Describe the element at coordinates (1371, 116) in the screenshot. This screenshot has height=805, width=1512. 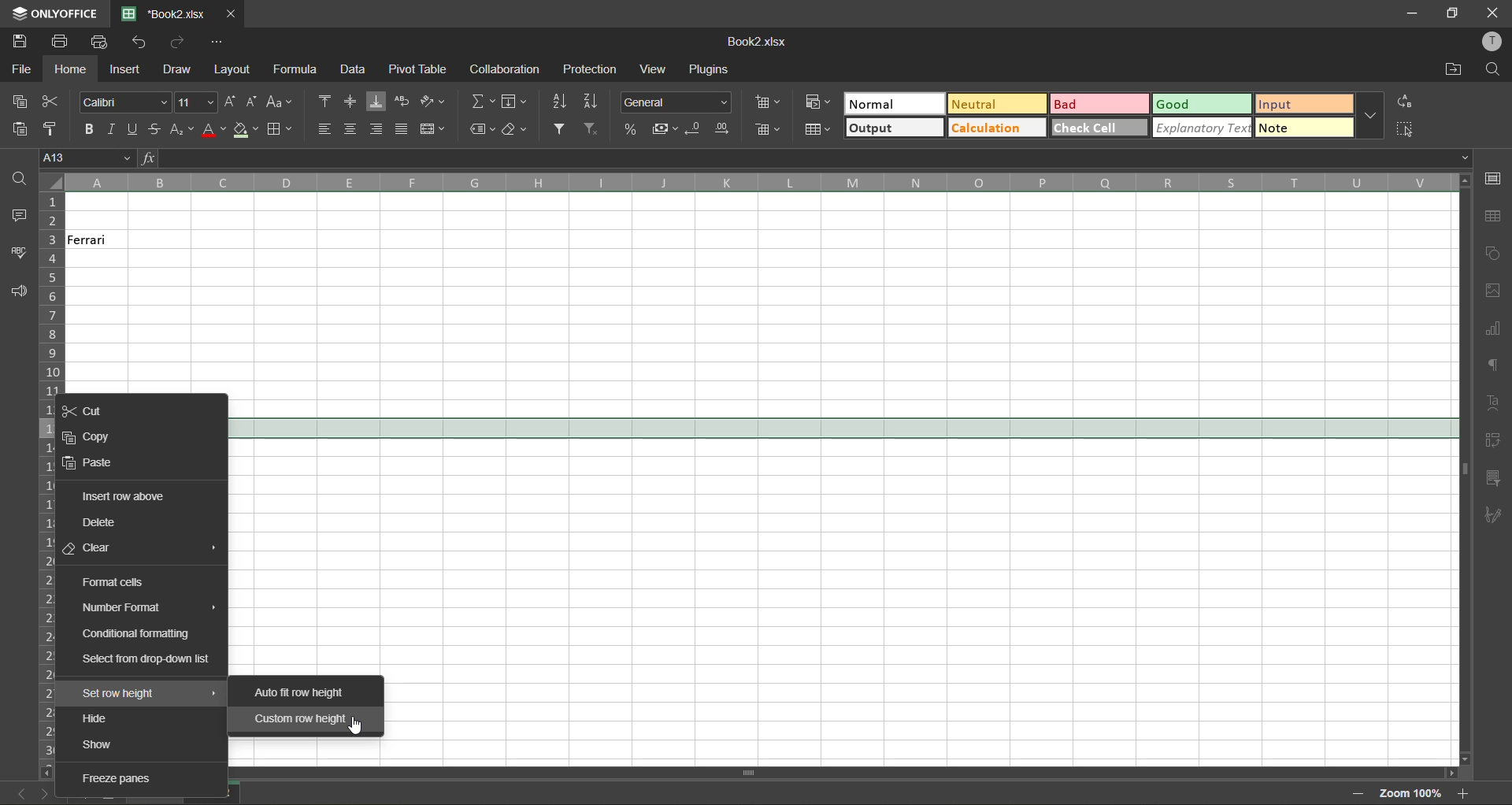
I see `more options` at that location.